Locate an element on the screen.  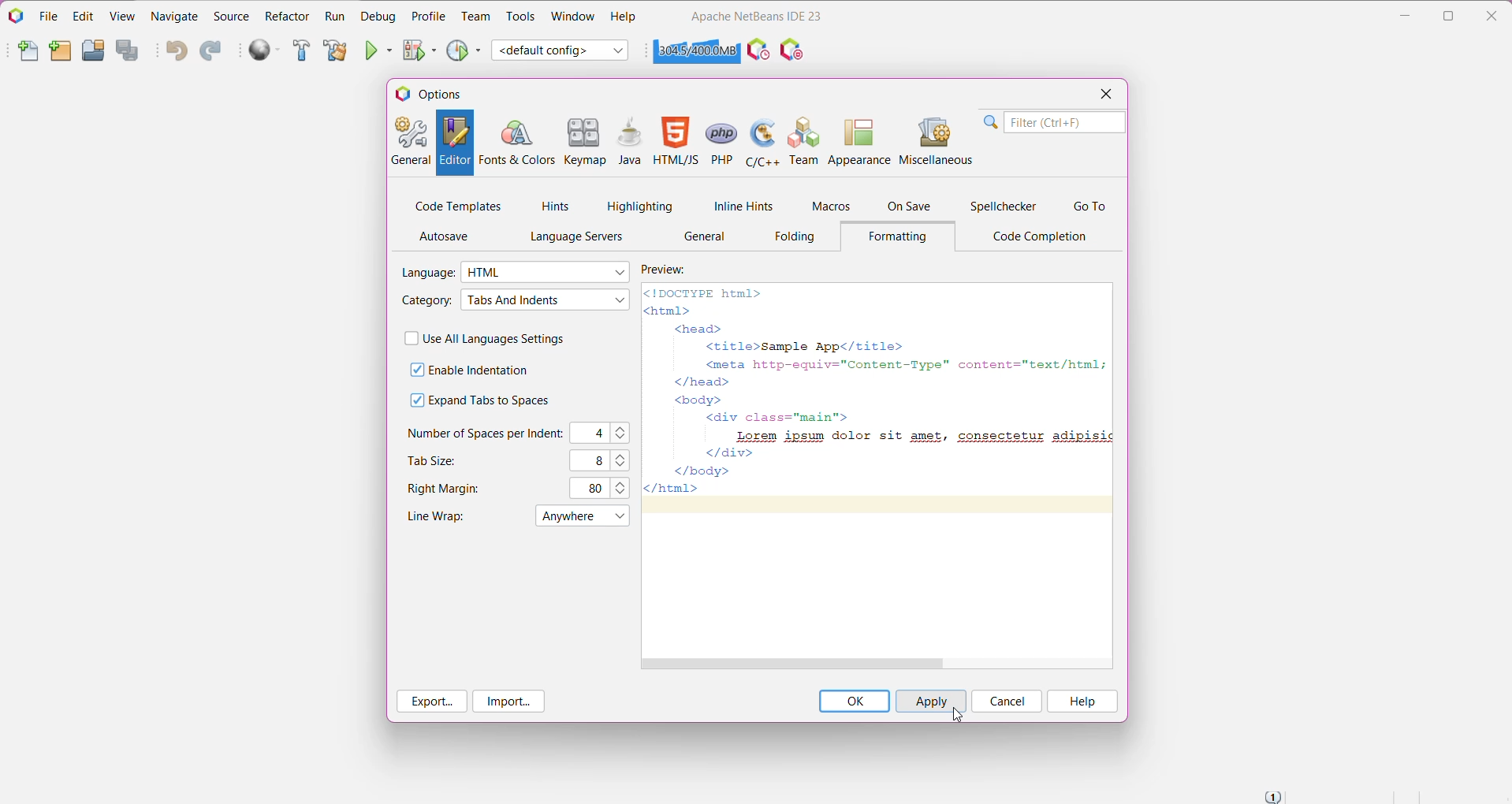
<div class="main"> is located at coordinates (777, 418).